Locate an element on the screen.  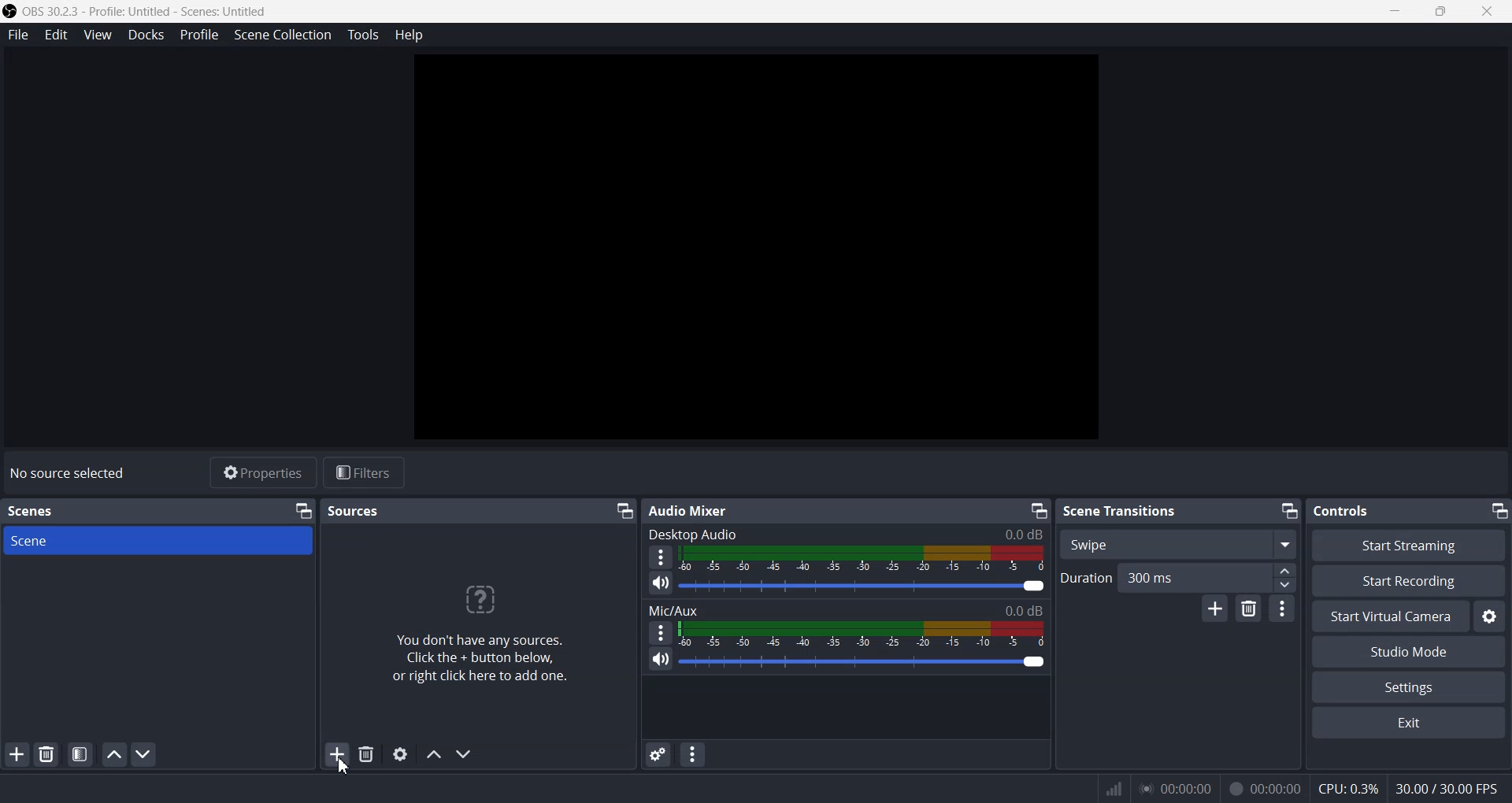
Cursor is located at coordinates (339, 769).